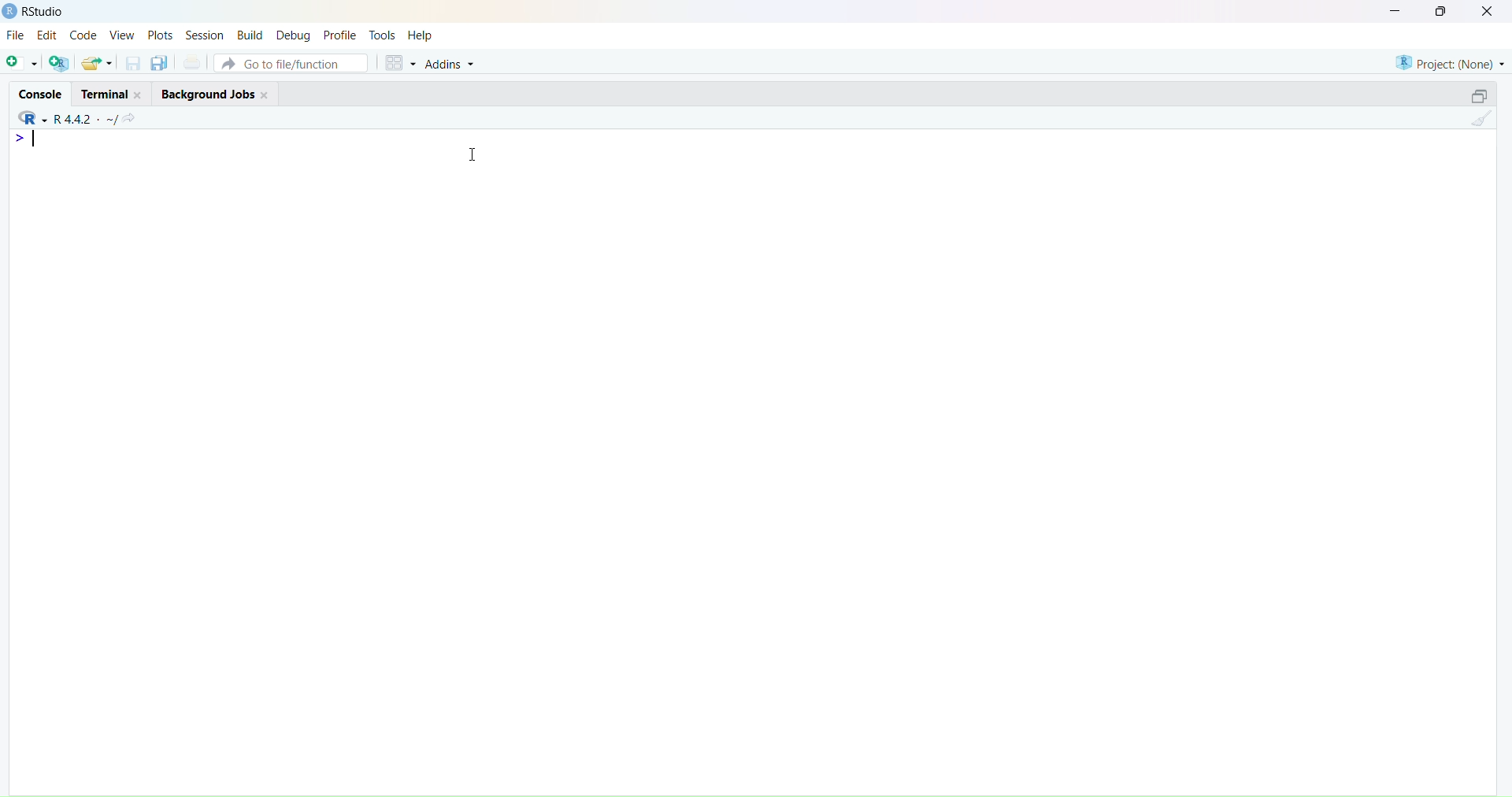  I want to click on Addins, so click(451, 65).